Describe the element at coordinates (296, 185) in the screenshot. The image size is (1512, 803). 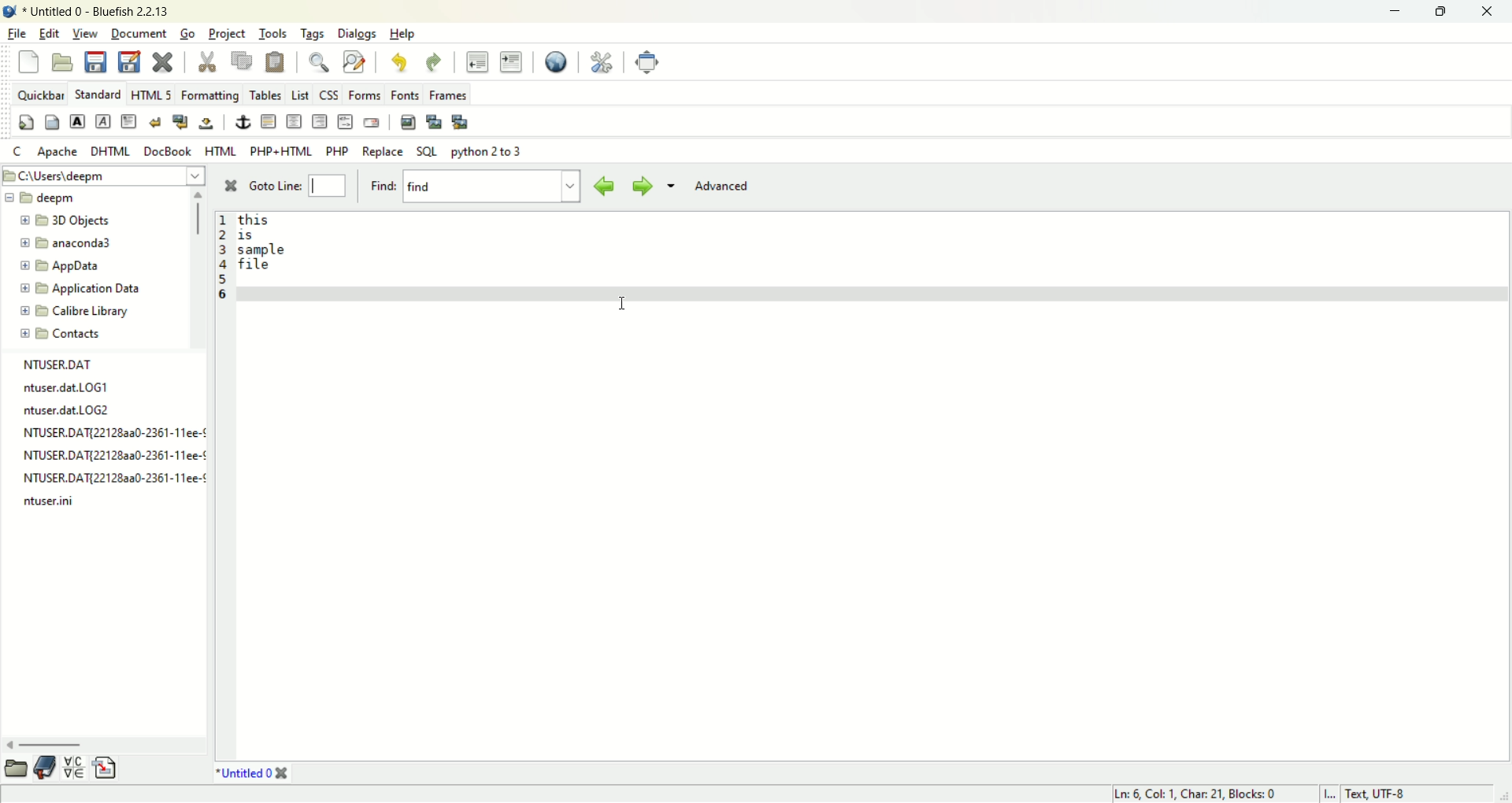
I see `goto line` at that location.